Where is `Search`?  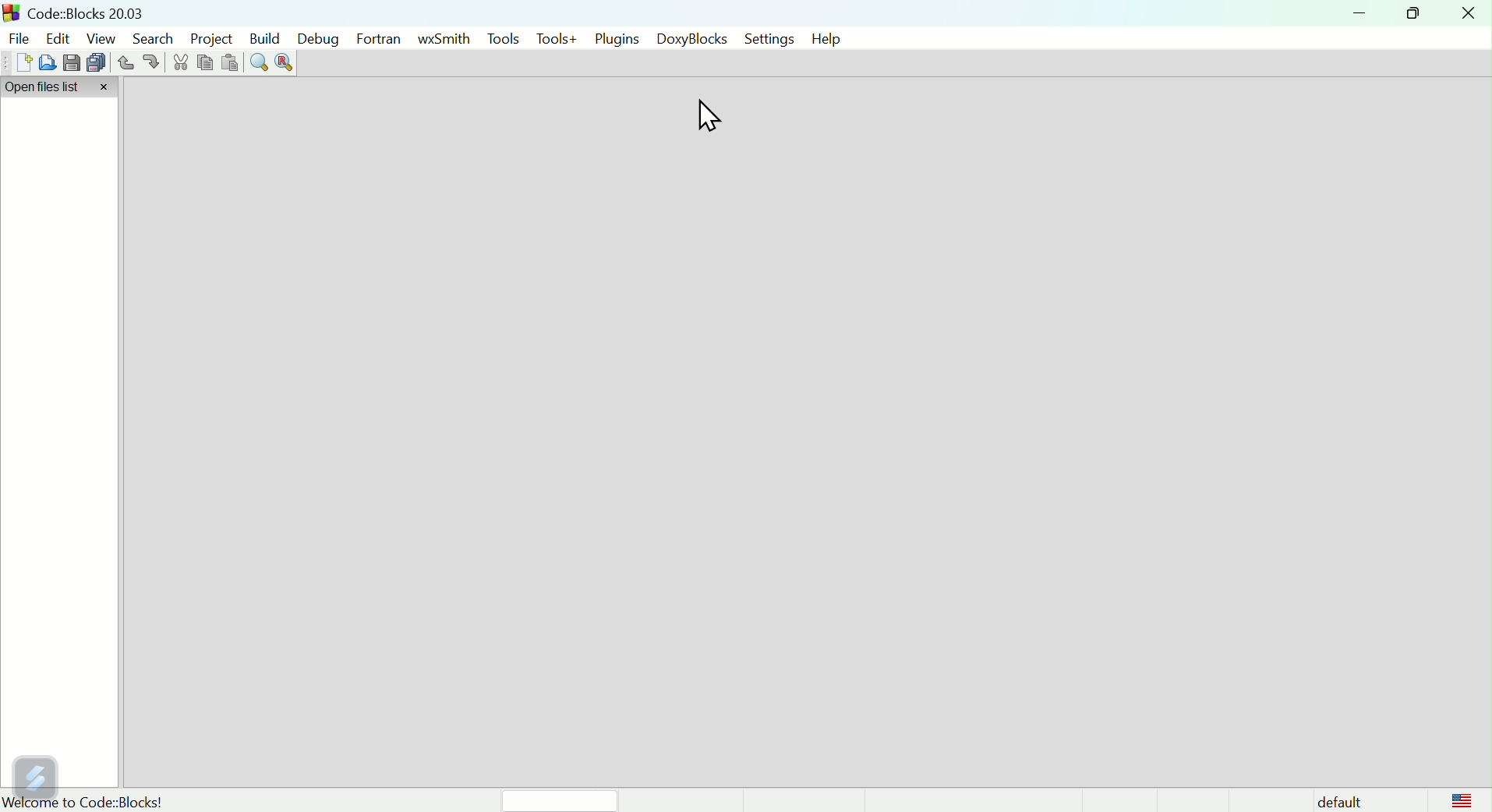
Search is located at coordinates (157, 39).